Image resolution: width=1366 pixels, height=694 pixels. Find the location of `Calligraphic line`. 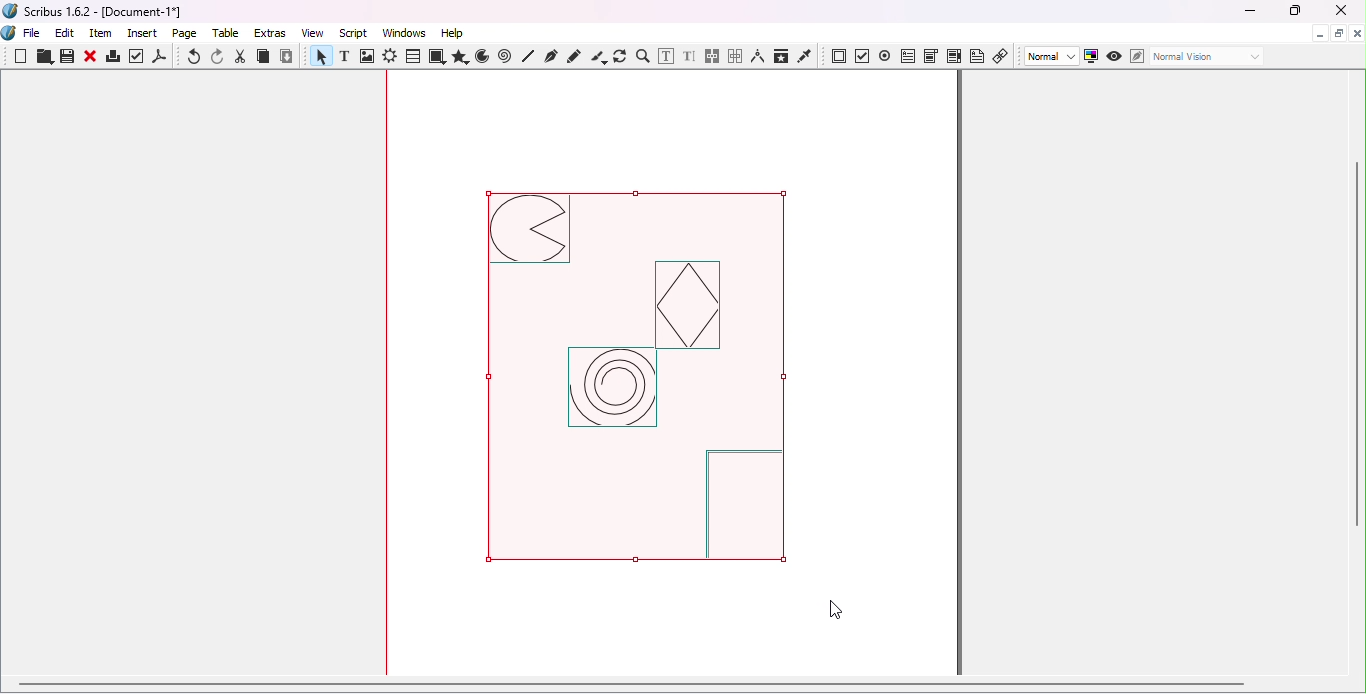

Calligraphic line is located at coordinates (598, 57).